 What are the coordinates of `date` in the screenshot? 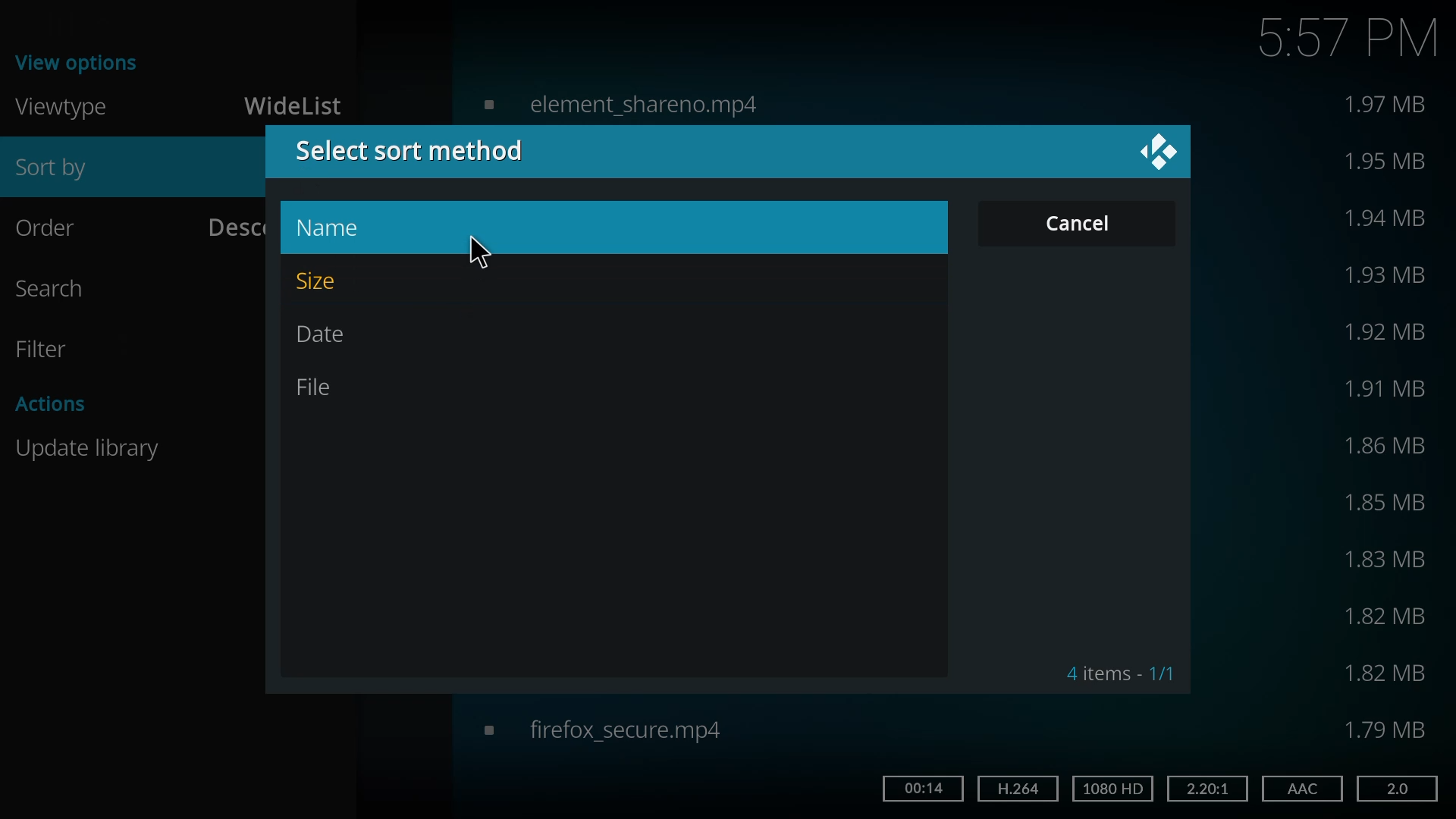 It's located at (329, 334).